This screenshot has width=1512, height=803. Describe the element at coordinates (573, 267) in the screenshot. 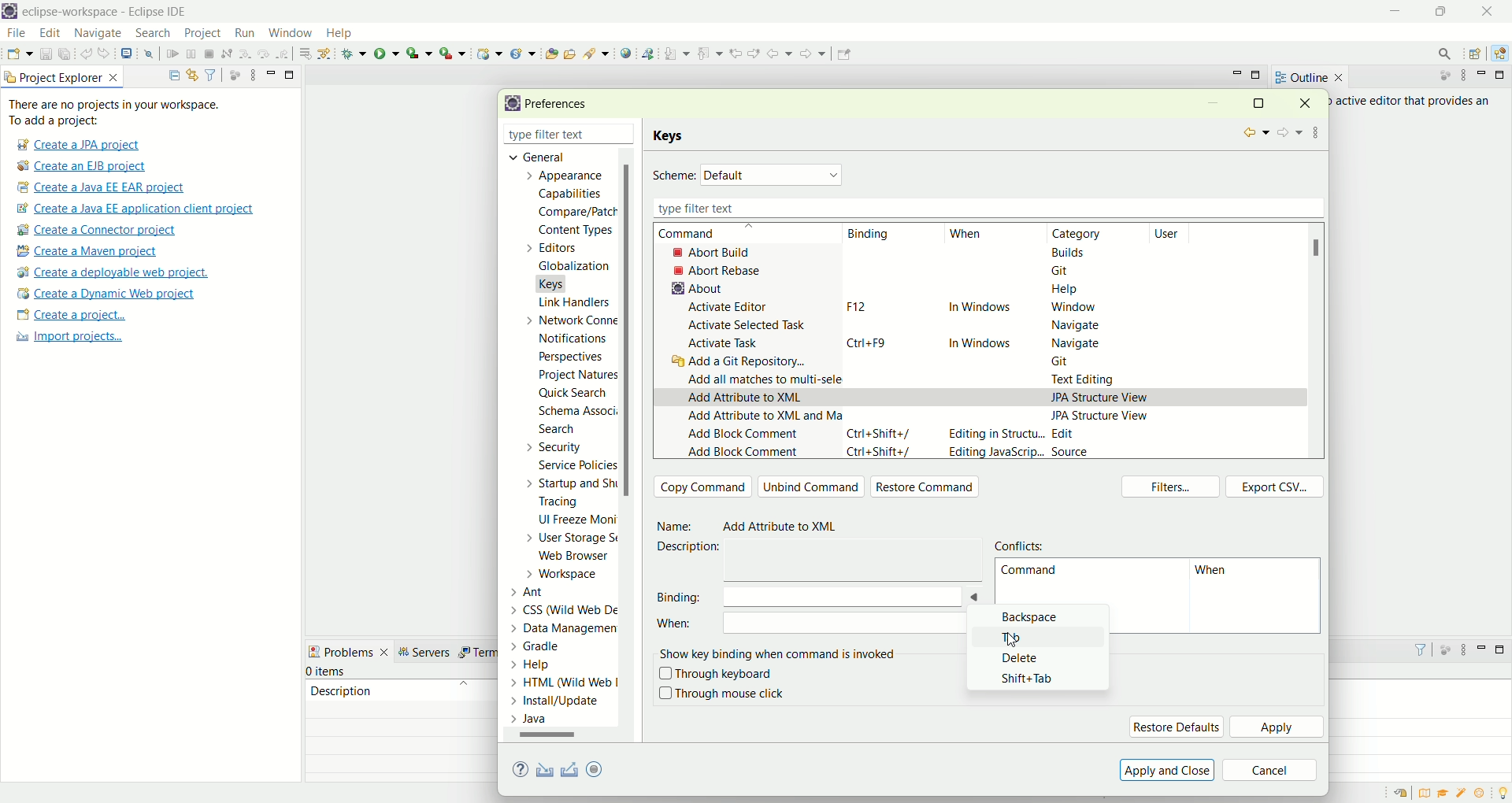

I see `globalization` at that location.